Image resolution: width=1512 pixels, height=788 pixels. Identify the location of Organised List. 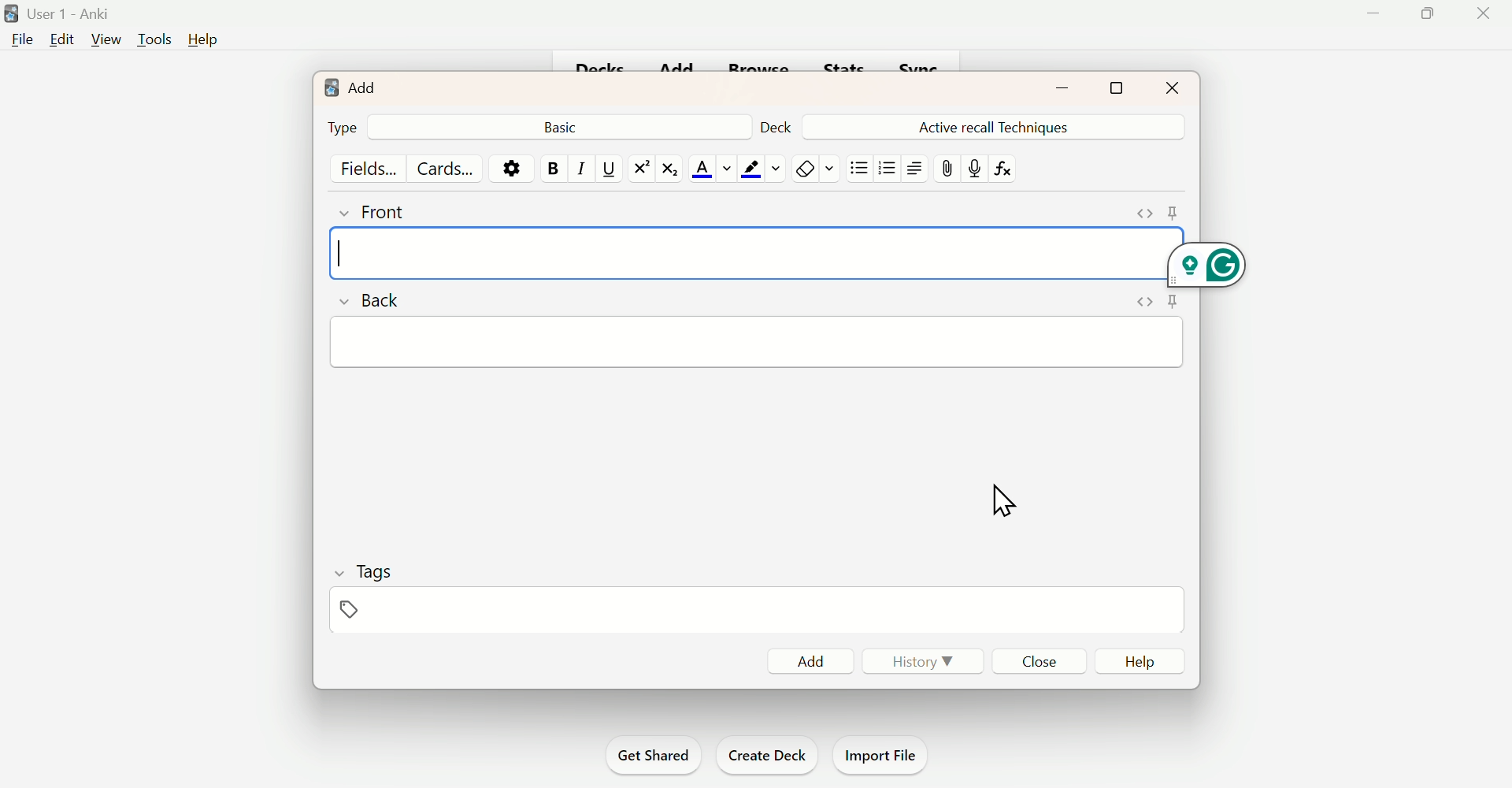
(887, 169).